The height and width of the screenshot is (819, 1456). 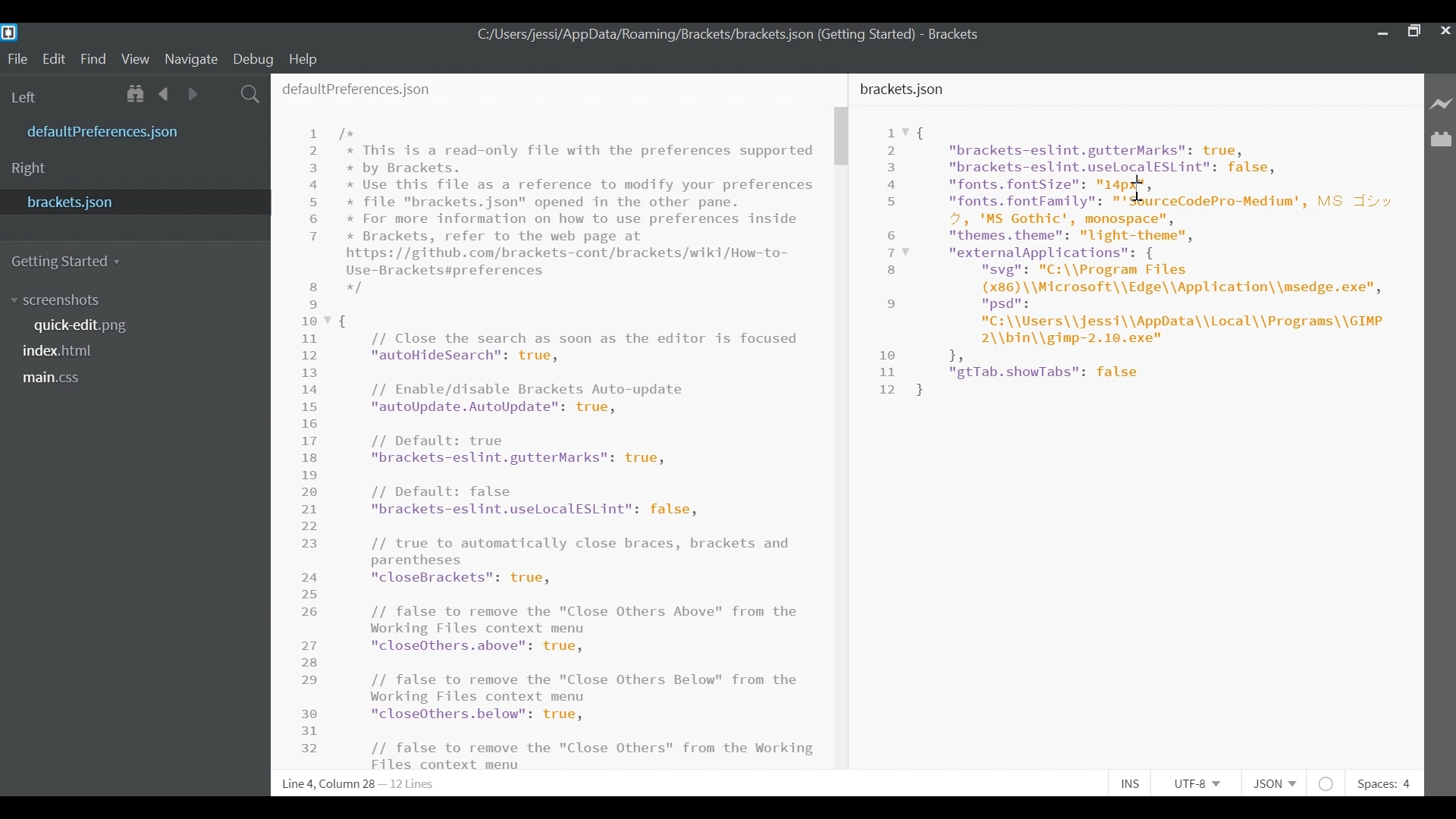 What do you see at coordinates (58, 379) in the screenshot?
I see `main.css` at bounding box center [58, 379].